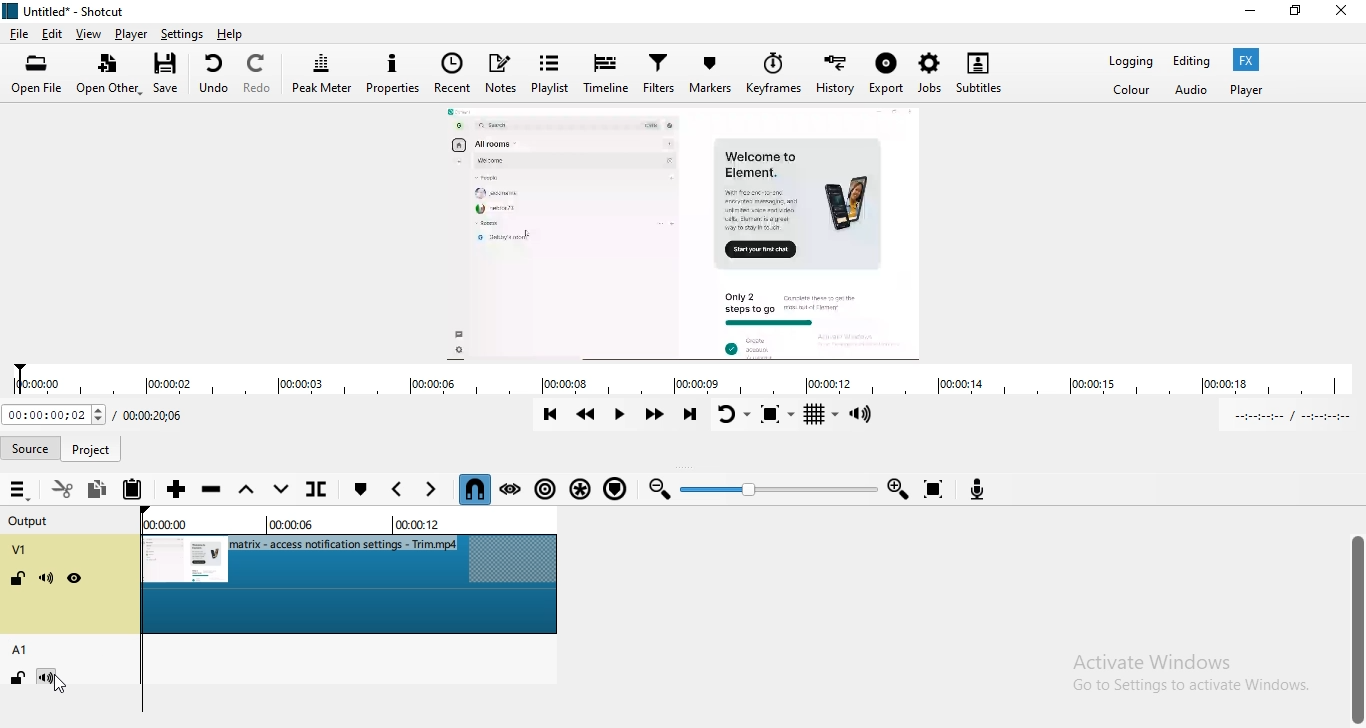 The height and width of the screenshot is (728, 1366). What do you see at coordinates (981, 73) in the screenshot?
I see `Subtitles` at bounding box center [981, 73].